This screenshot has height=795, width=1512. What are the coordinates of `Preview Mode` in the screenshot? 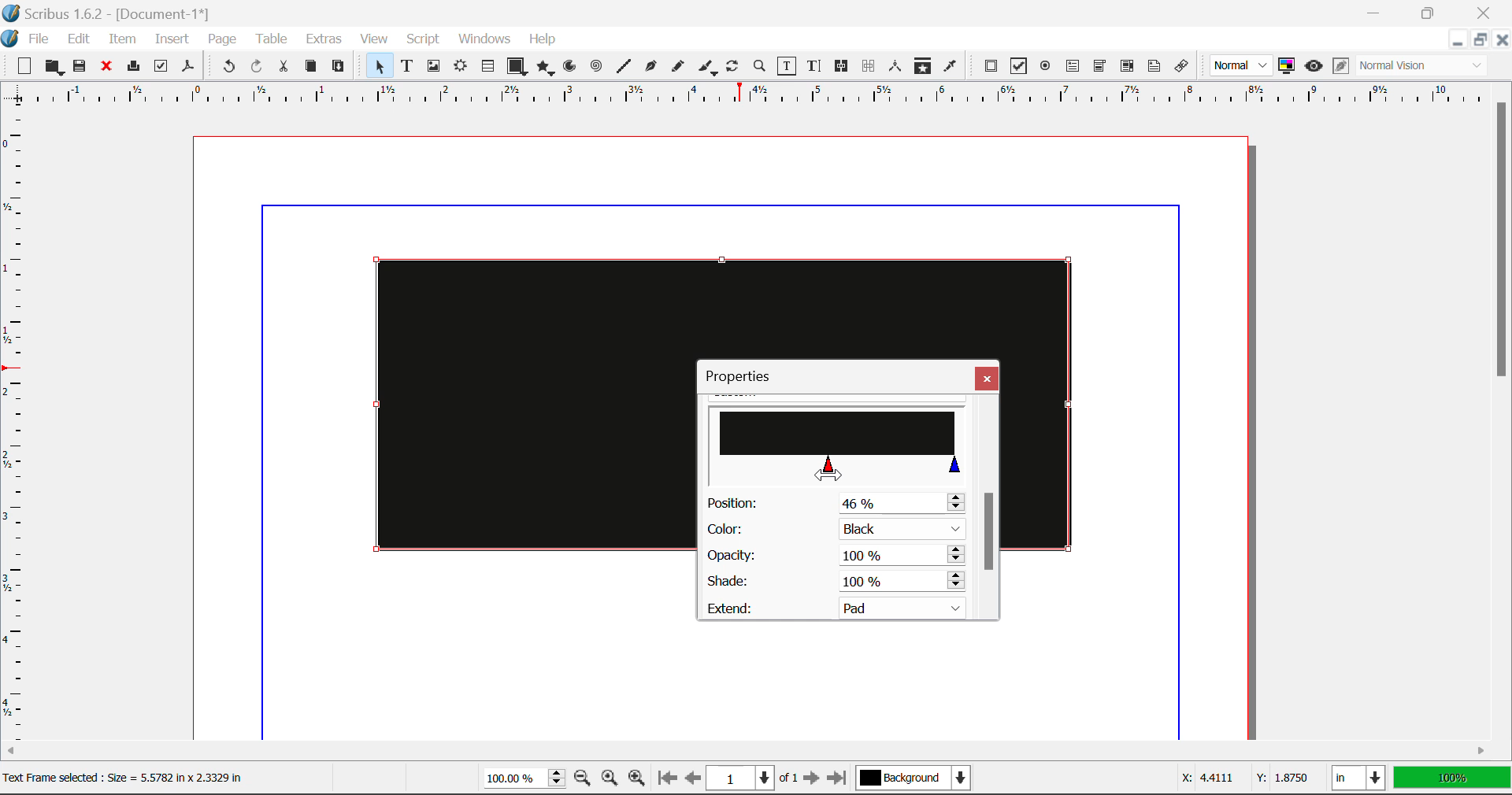 It's located at (1241, 65).